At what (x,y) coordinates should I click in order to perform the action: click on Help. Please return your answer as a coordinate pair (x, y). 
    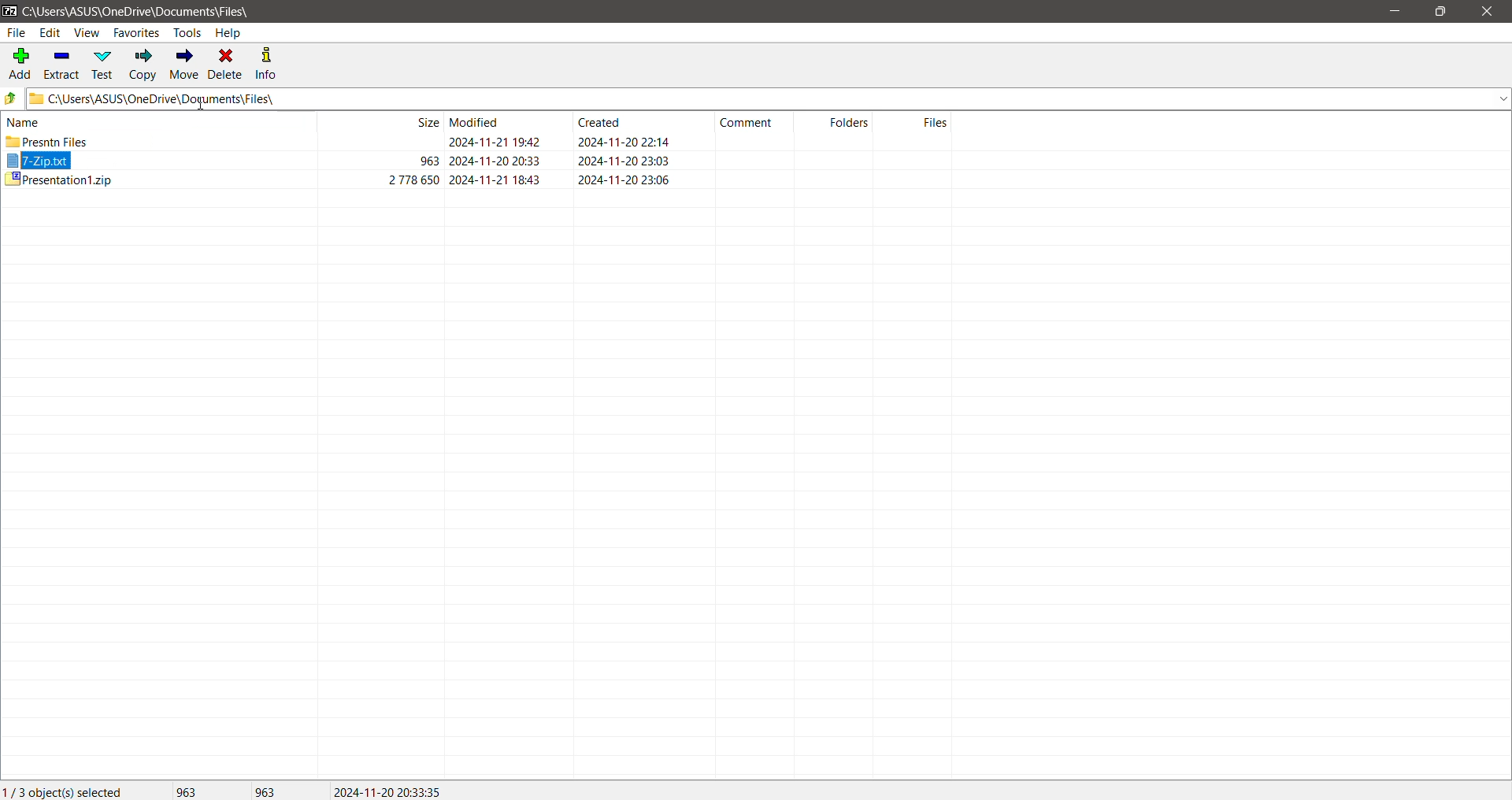
    Looking at the image, I should click on (228, 32).